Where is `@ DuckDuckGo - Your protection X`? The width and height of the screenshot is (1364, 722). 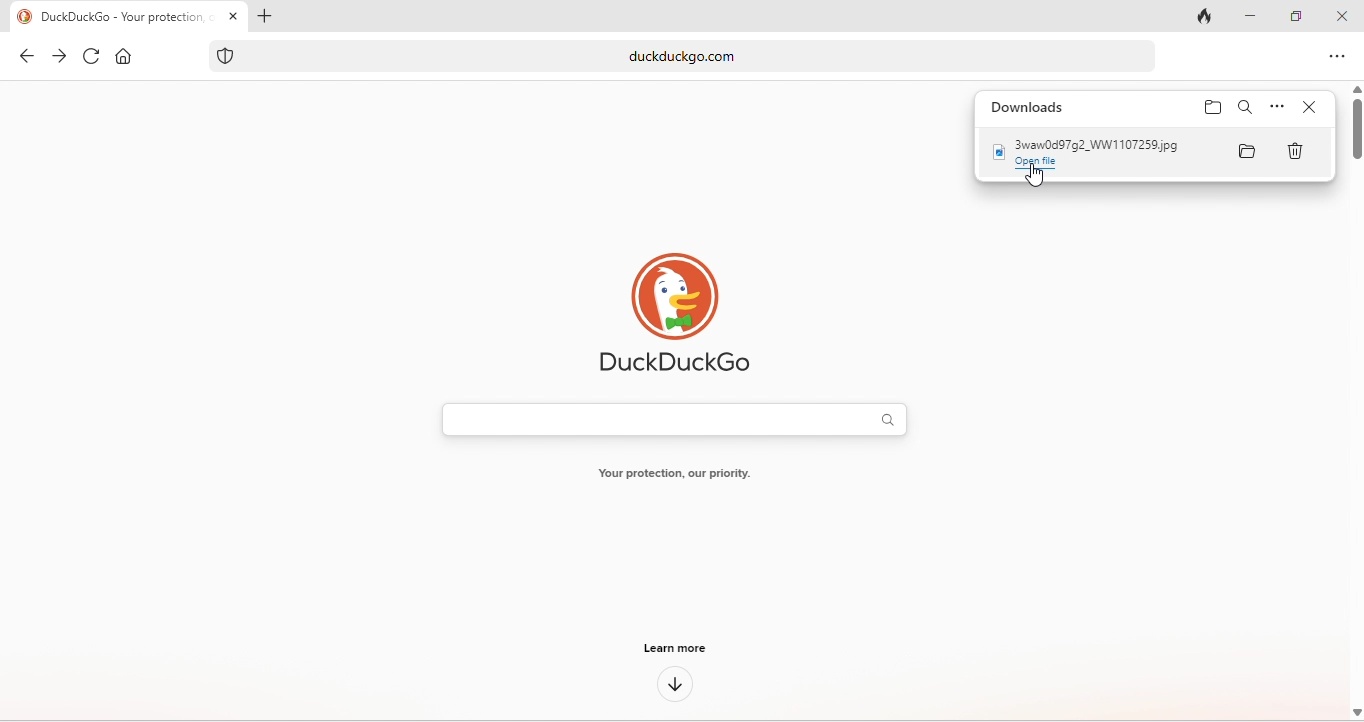
@ DuckDuckGo - Your protection X is located at coordinates (123, 18).